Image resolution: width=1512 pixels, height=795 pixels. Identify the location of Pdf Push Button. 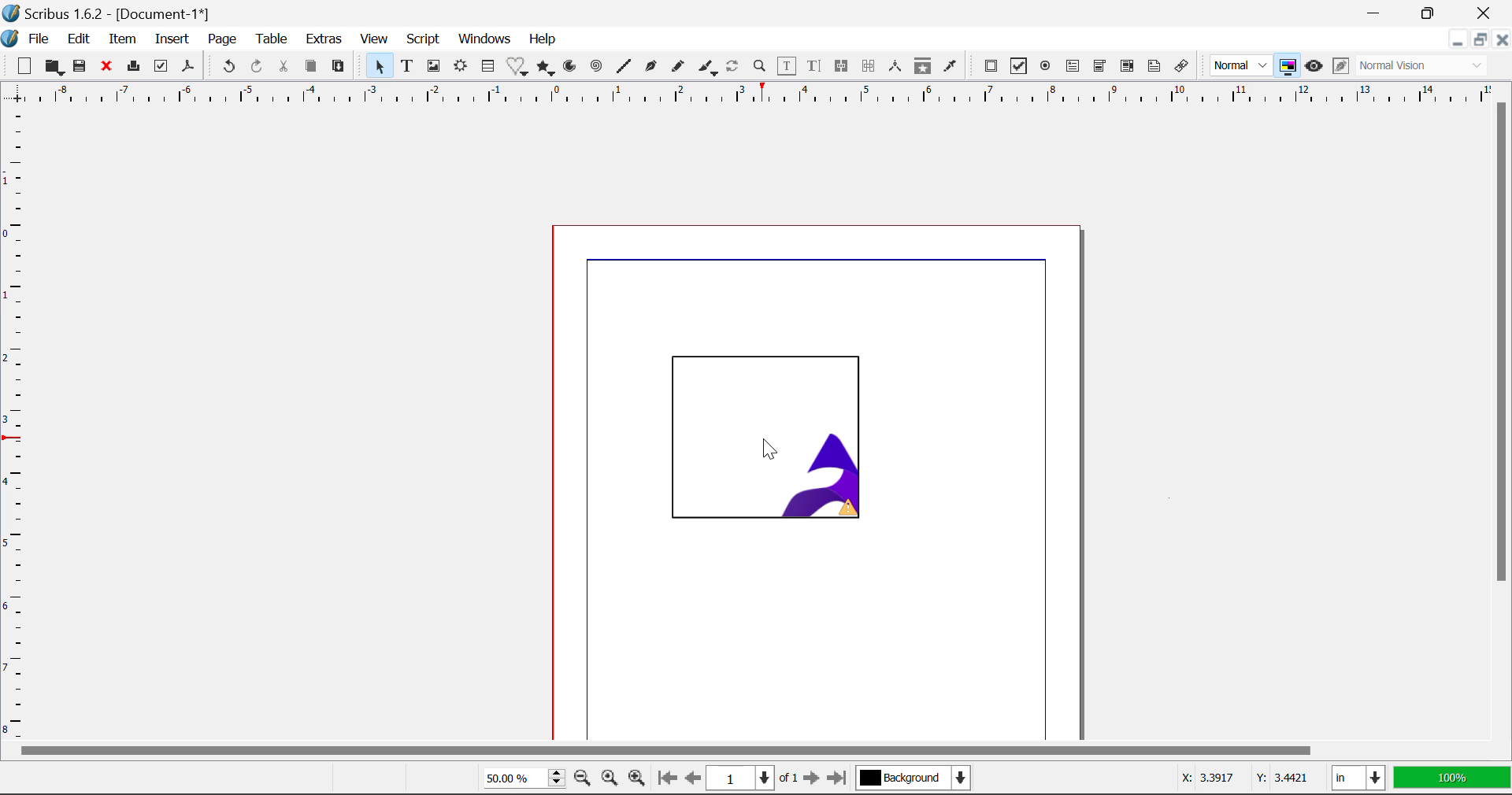
(991, 68).